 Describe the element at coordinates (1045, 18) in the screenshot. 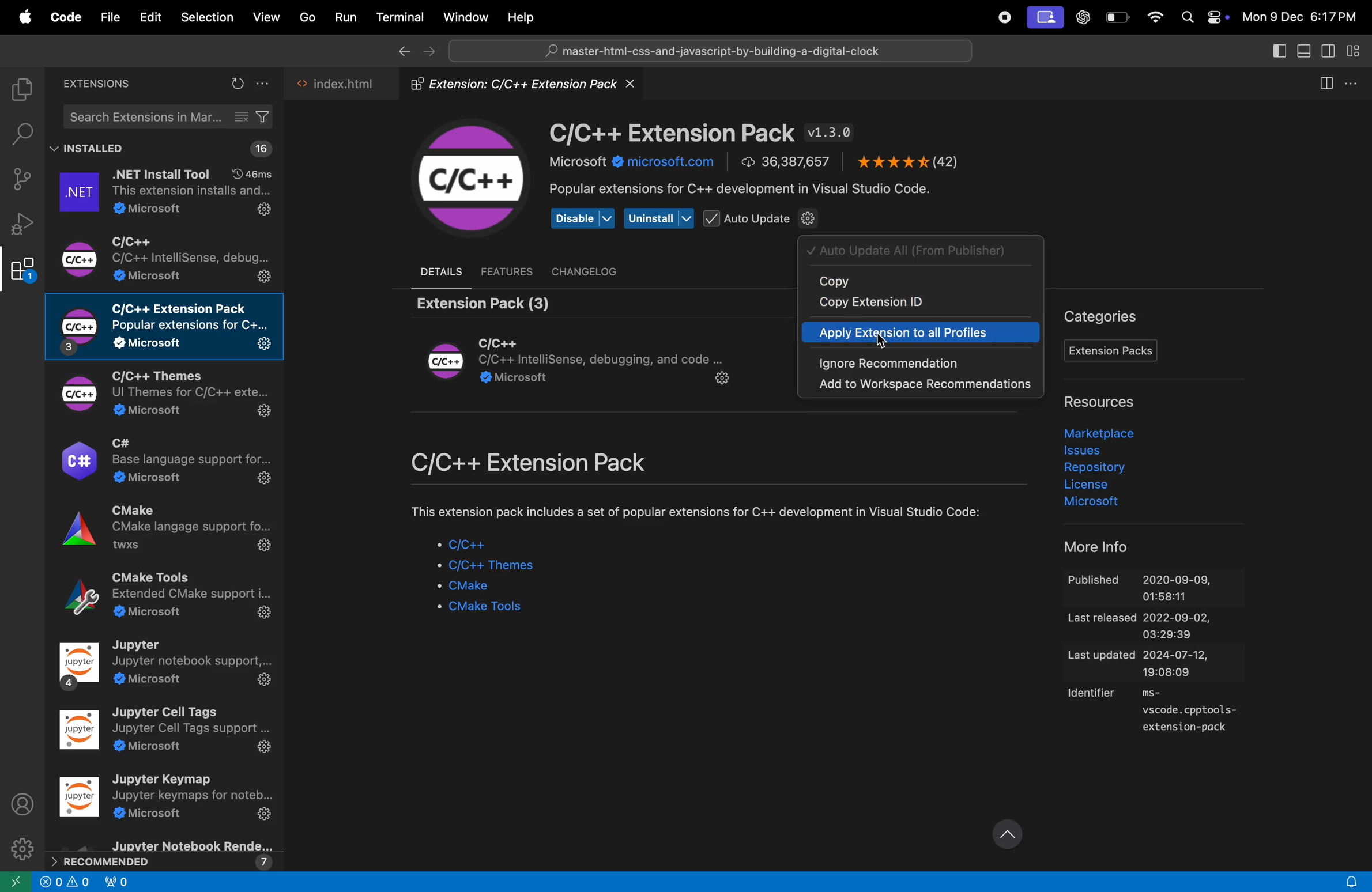

I see `screen ui` at that location.